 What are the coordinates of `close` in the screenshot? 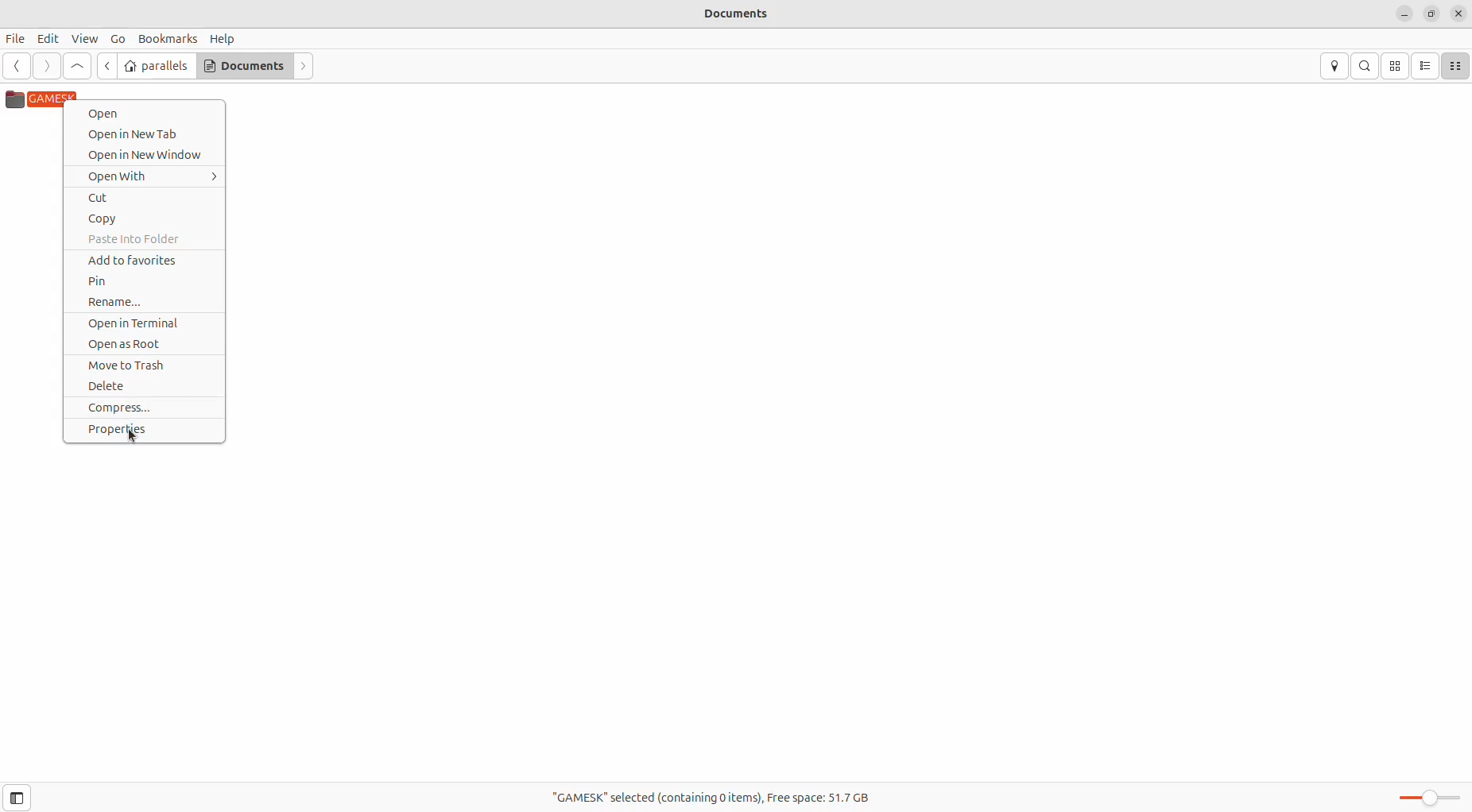 It's located at (1457, 14).